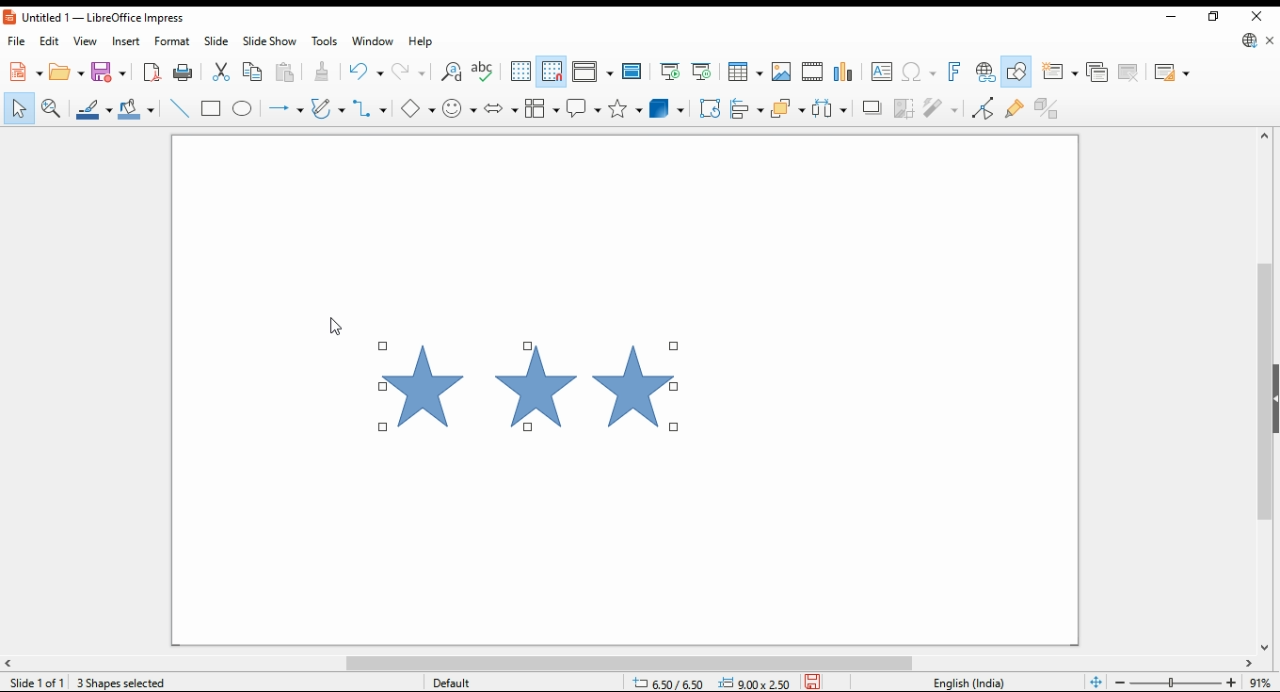 The height and width of the screenshot is (692, 1280). Describe the element at coordinates (1176, 681) in the screenshot. I see `zoom in/zoom out slider` at that location.